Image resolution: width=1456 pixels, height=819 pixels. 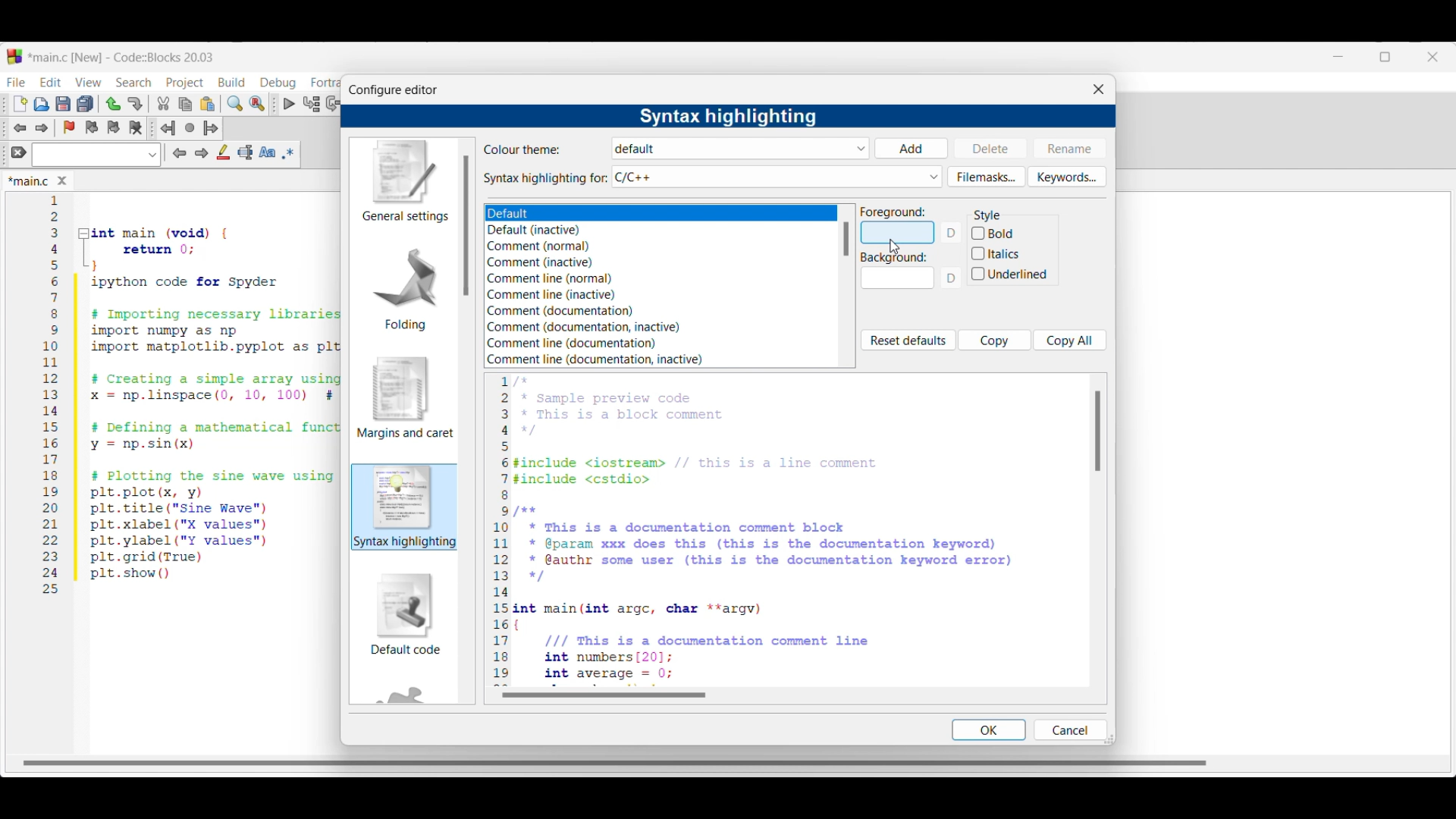 I want to click on Copy, so click(x=995, y=340).